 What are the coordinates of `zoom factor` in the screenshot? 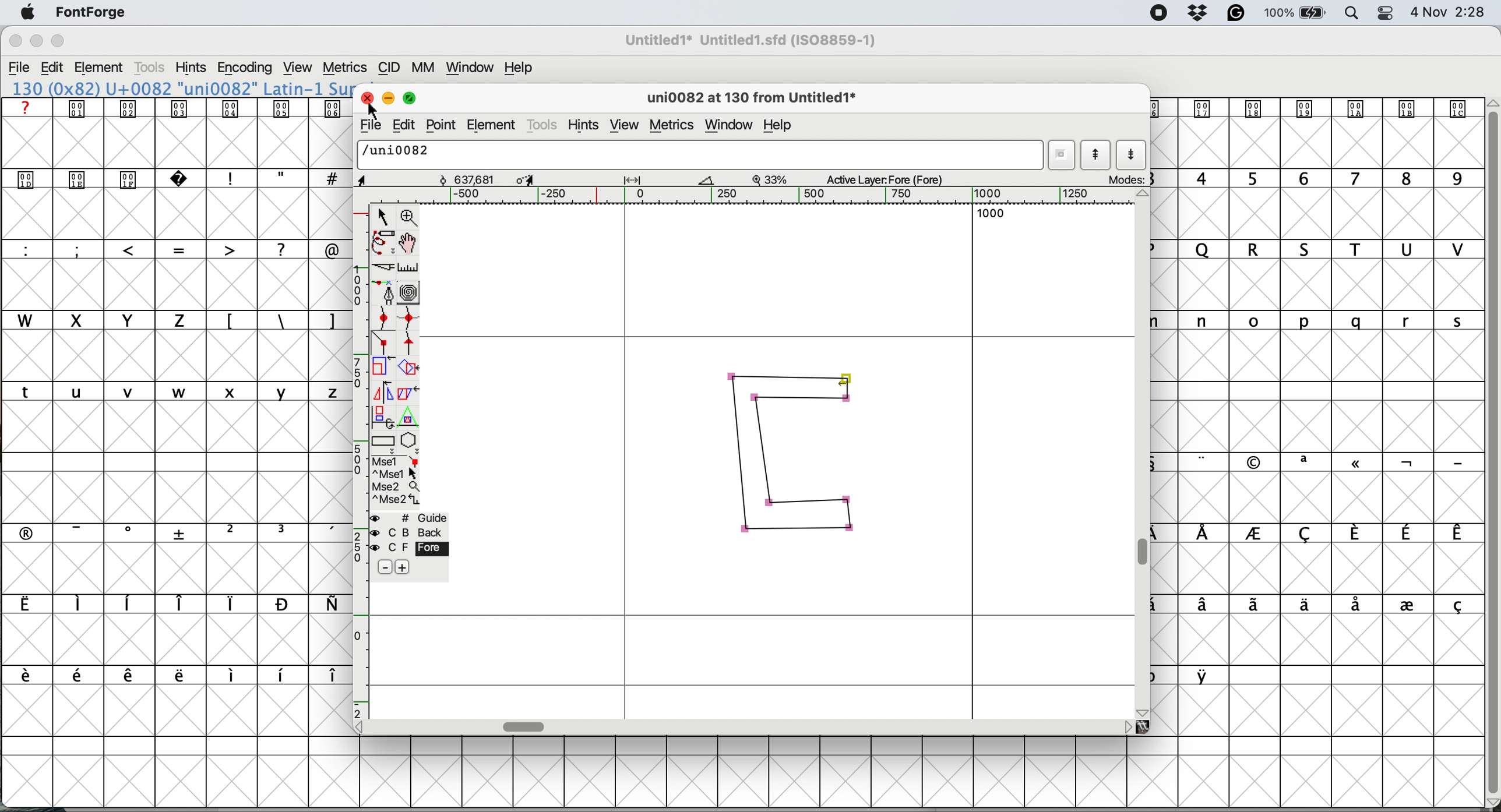 It's located at (770, 179).